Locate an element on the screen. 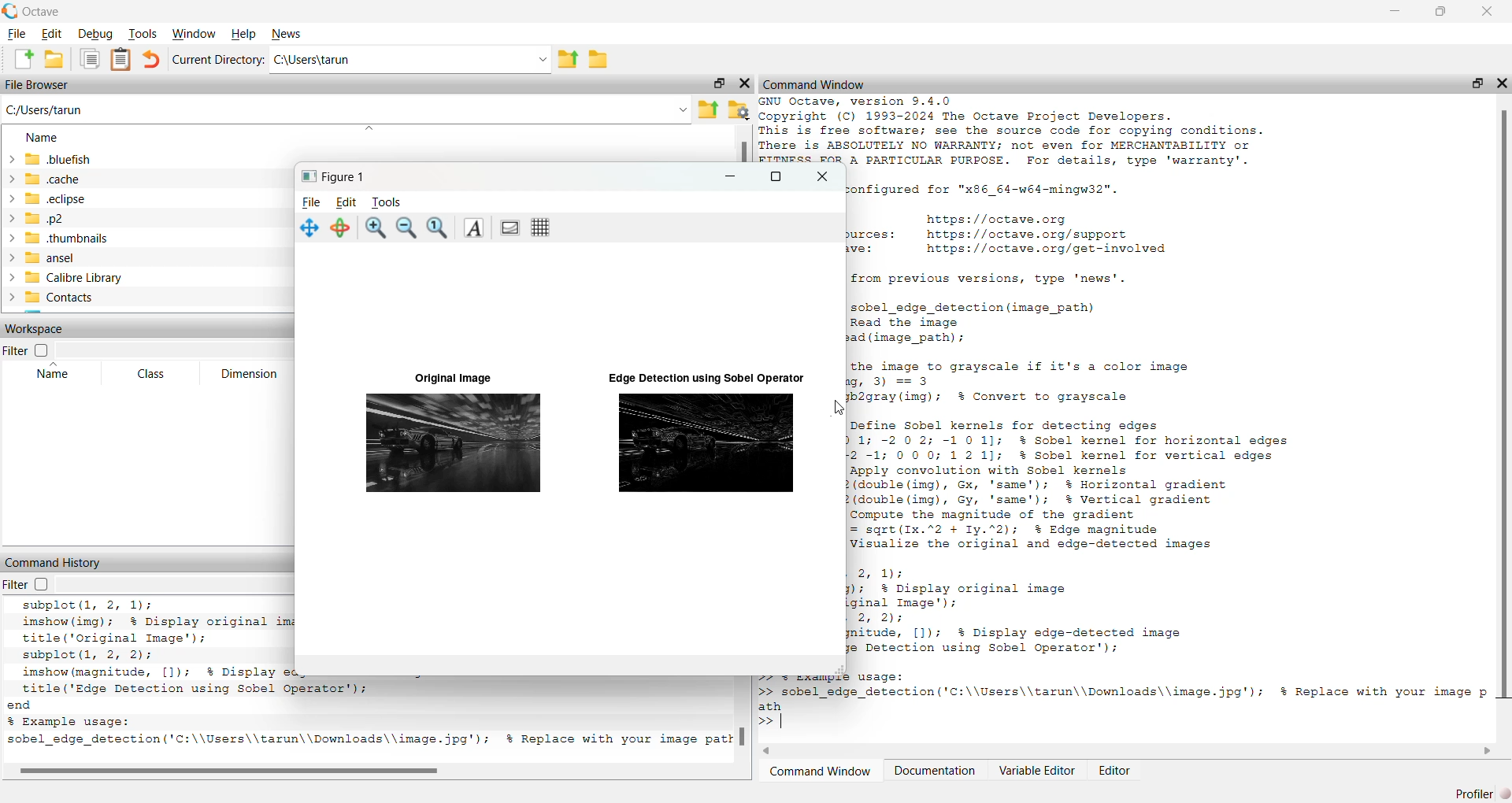 The image size is (1512, 803). restore down is located at coordinates (717, 82).